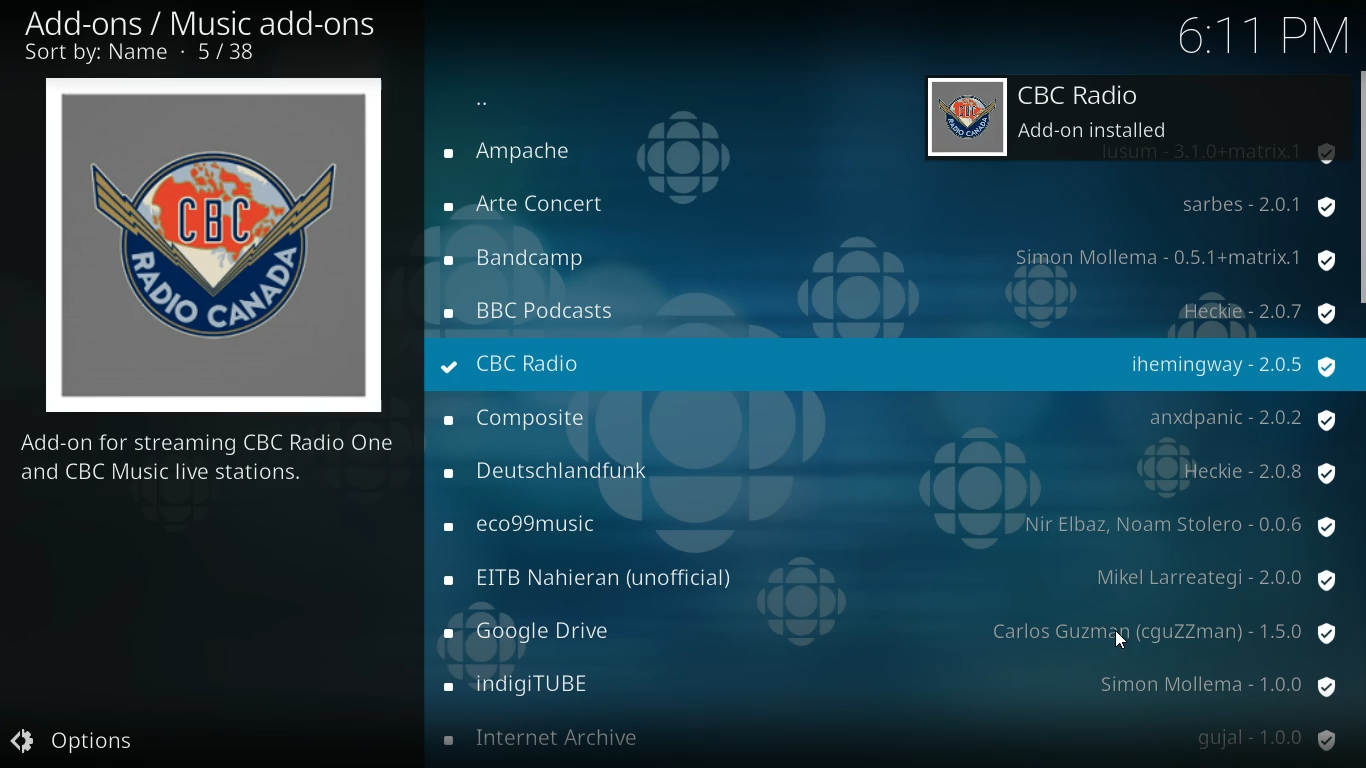  What do you see at coordinates (527, 522) in the screenshot?
I see `radio name` at bounding box center [527, 522].